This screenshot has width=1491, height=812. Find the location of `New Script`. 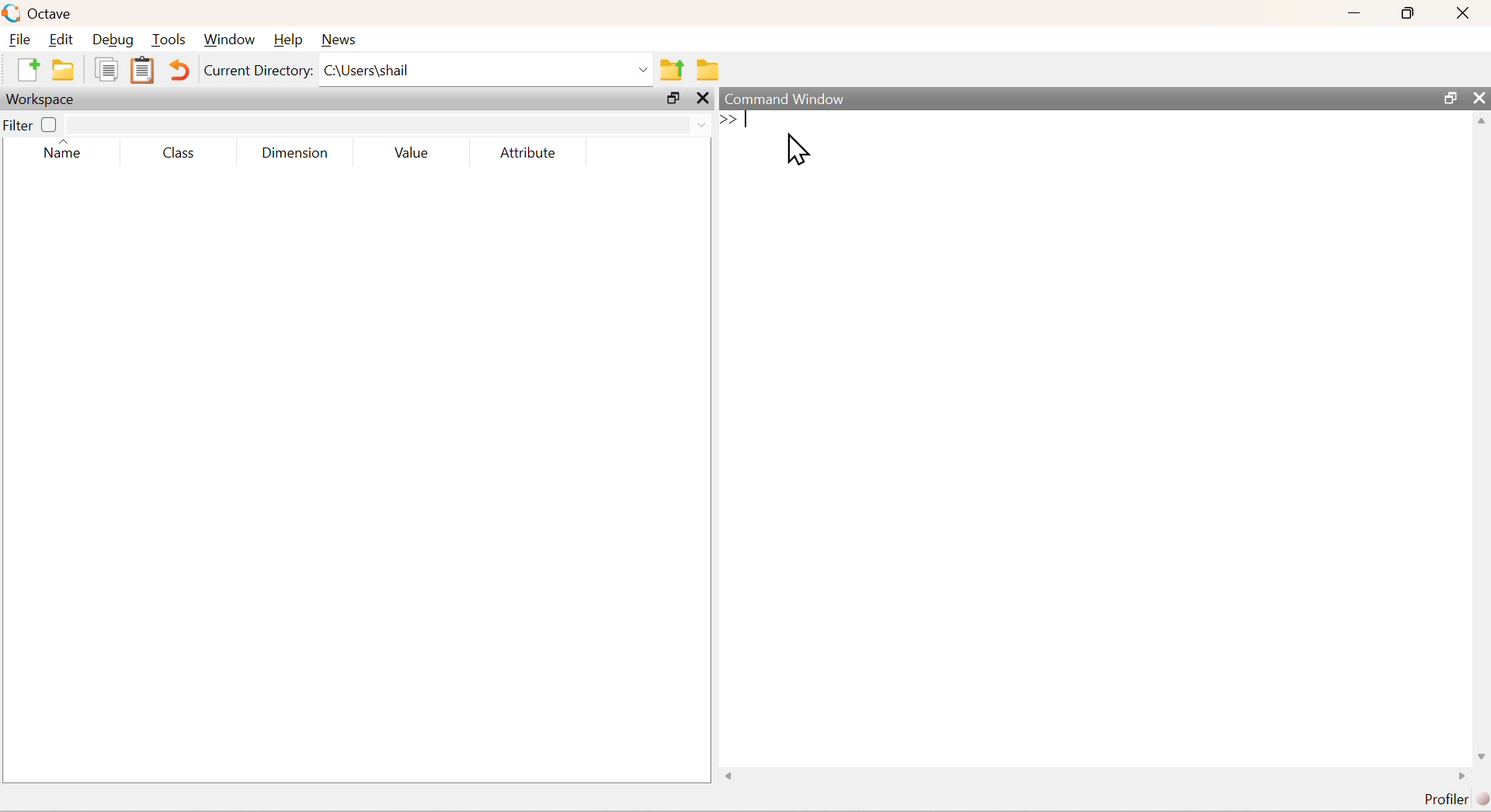

New Script is located at coordinates (25, 69).